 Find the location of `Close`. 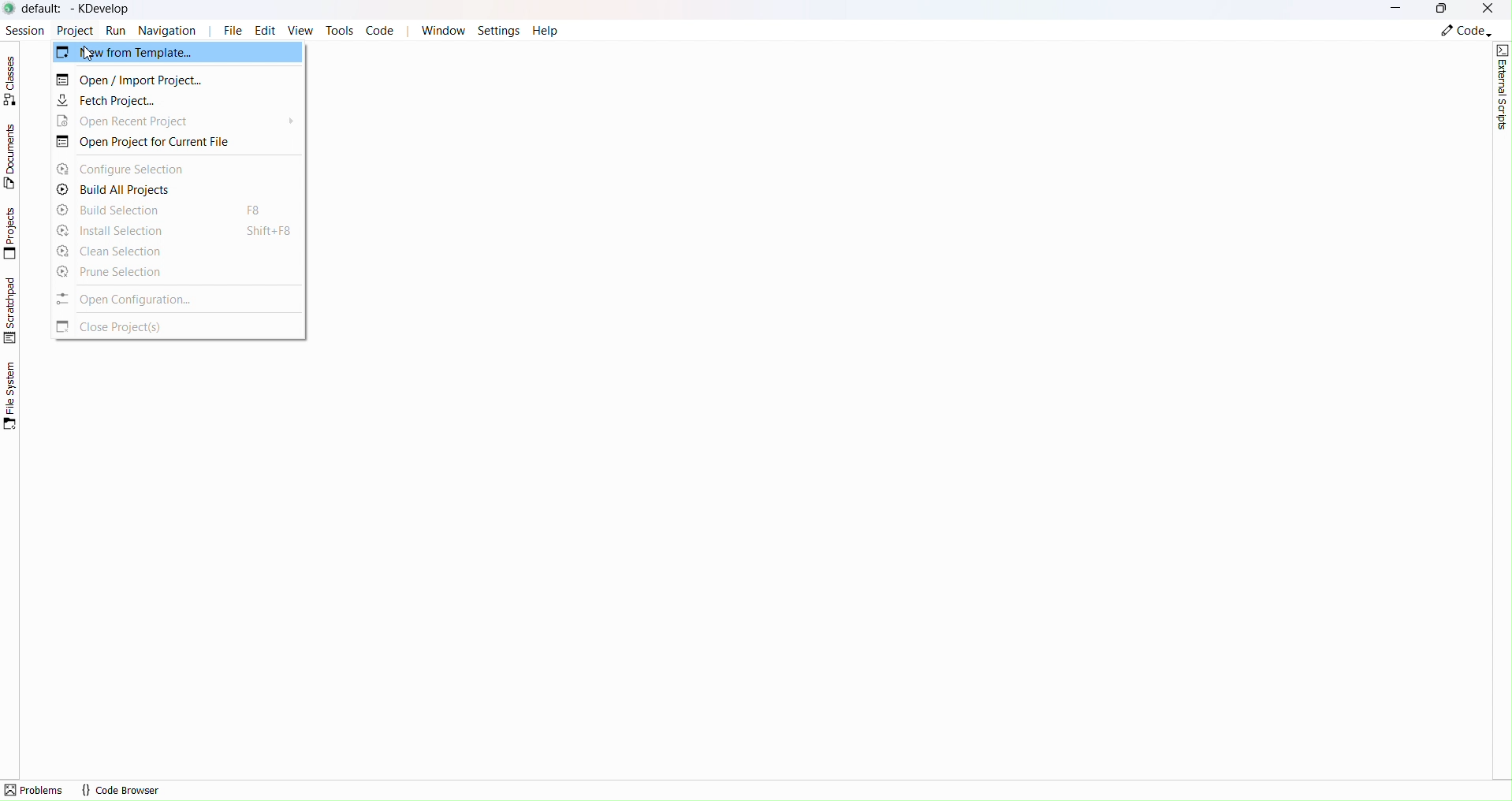

Close is located at coordinates (1490, 9).